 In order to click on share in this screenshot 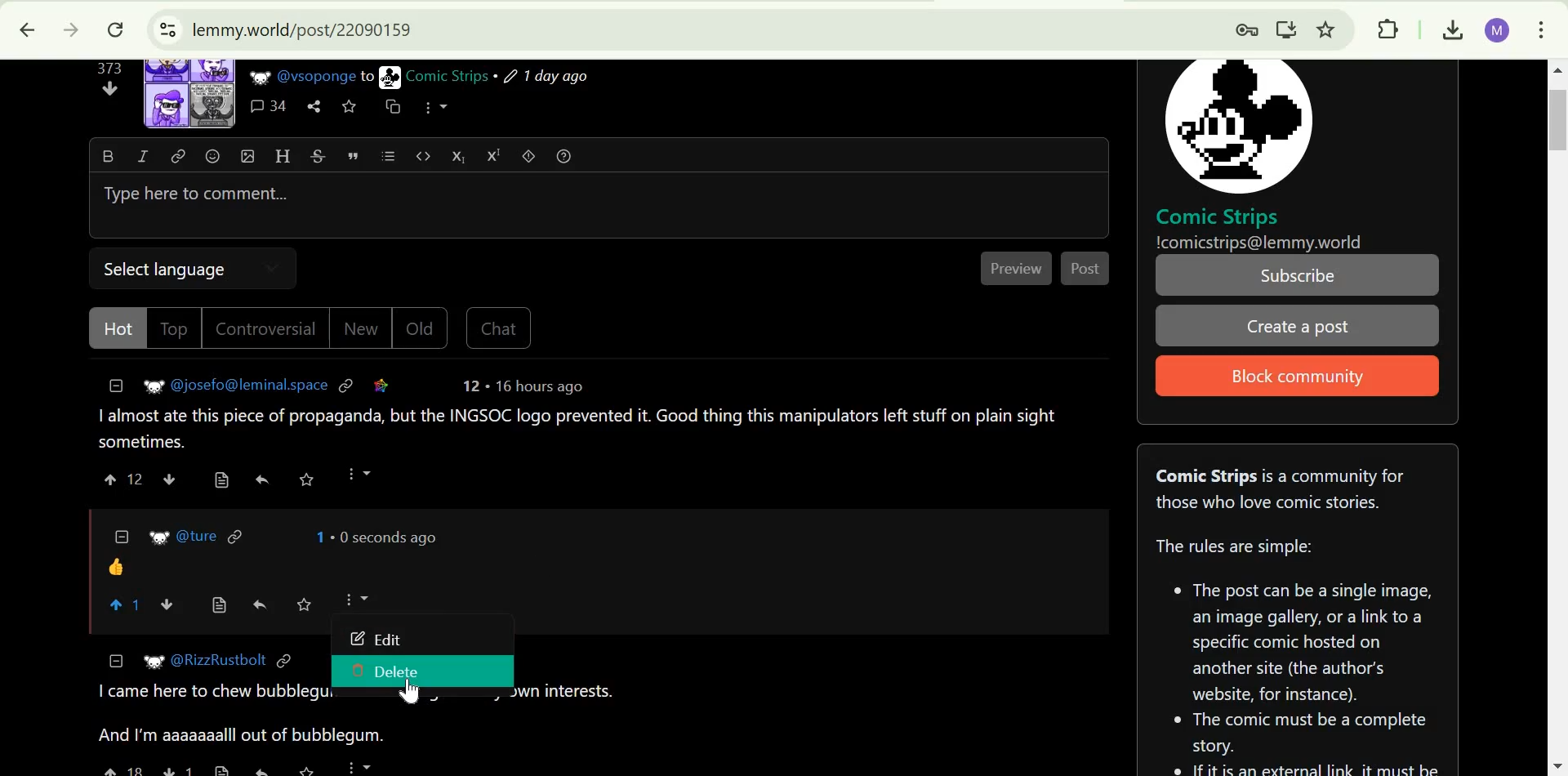, I will do `click(314, 107)`.